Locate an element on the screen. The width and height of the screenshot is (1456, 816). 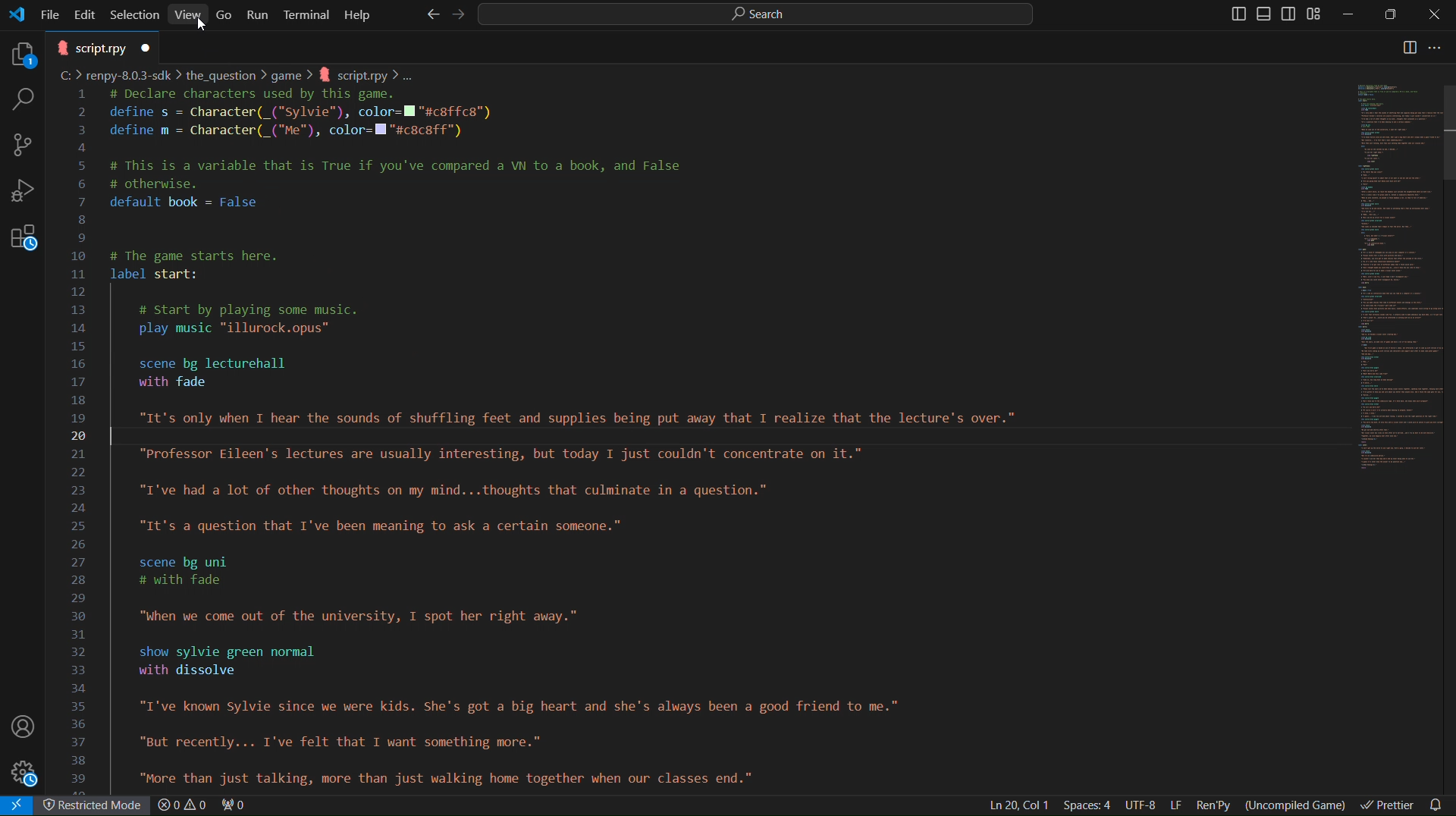
LF is located at coordinates (1176, 805).